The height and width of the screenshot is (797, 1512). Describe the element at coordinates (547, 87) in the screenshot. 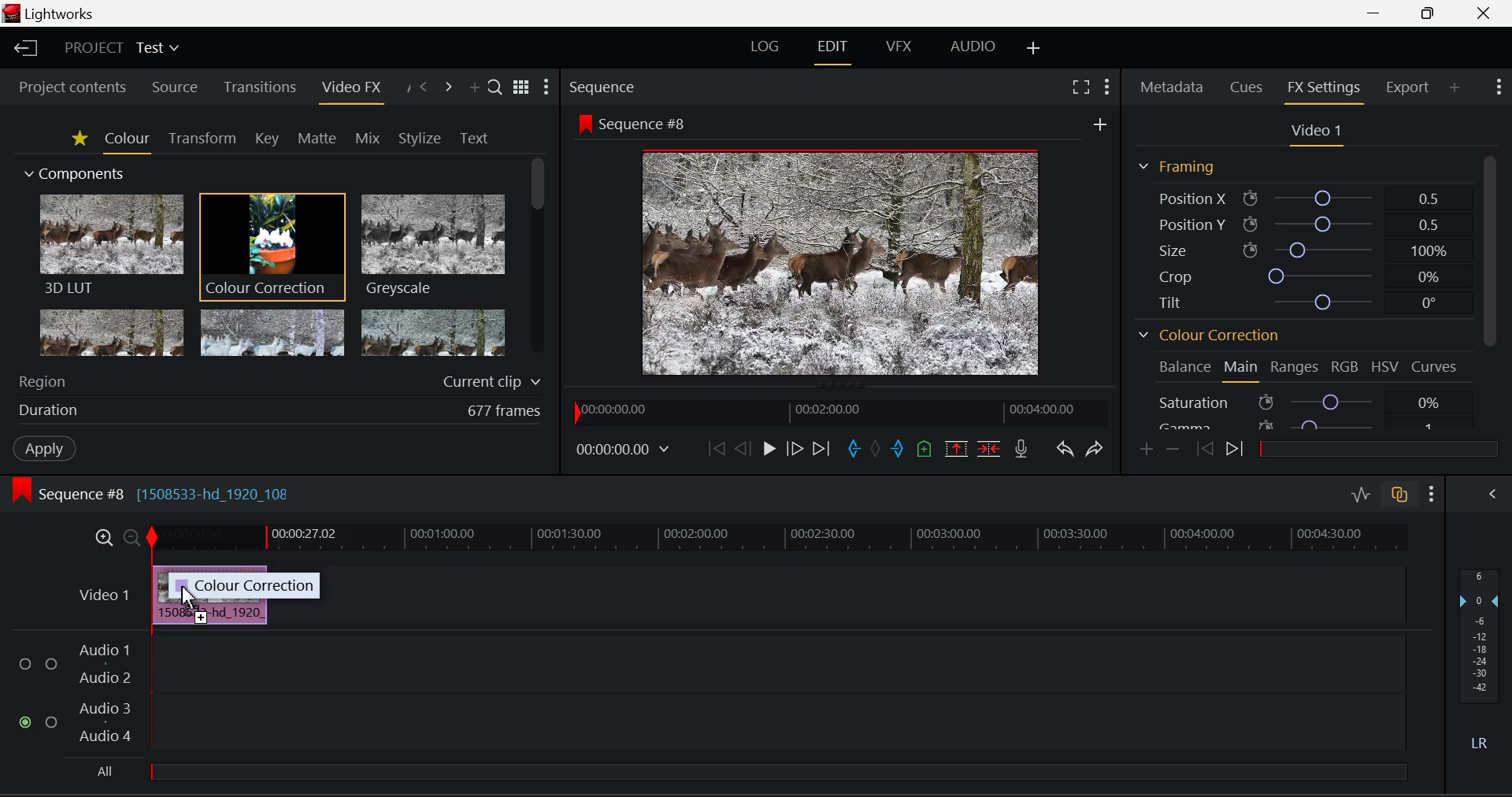

I see `Show Settings` at that location.